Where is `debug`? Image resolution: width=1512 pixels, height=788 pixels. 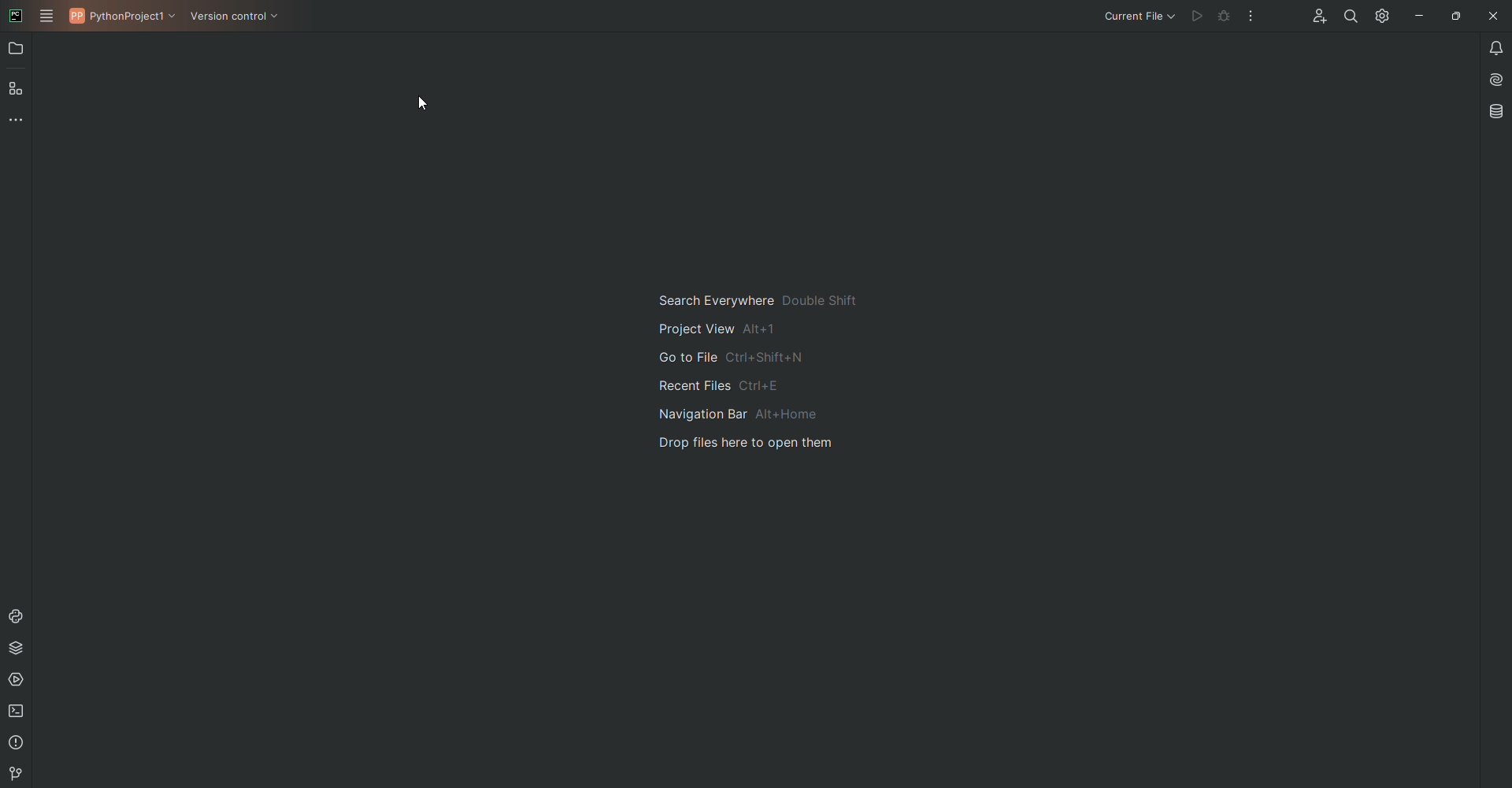
debug is located at coordinates (1222, 17).